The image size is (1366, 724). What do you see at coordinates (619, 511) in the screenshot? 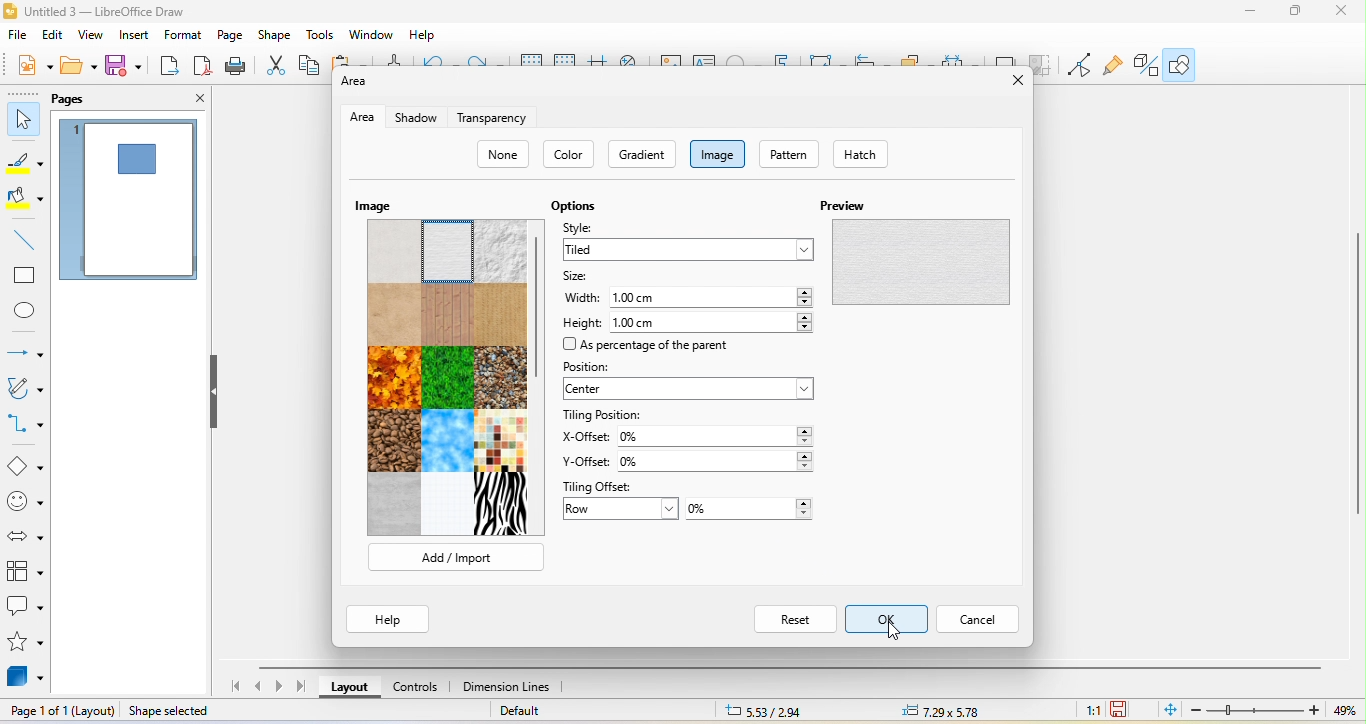
I see `row` at bounding box center [619, 511].